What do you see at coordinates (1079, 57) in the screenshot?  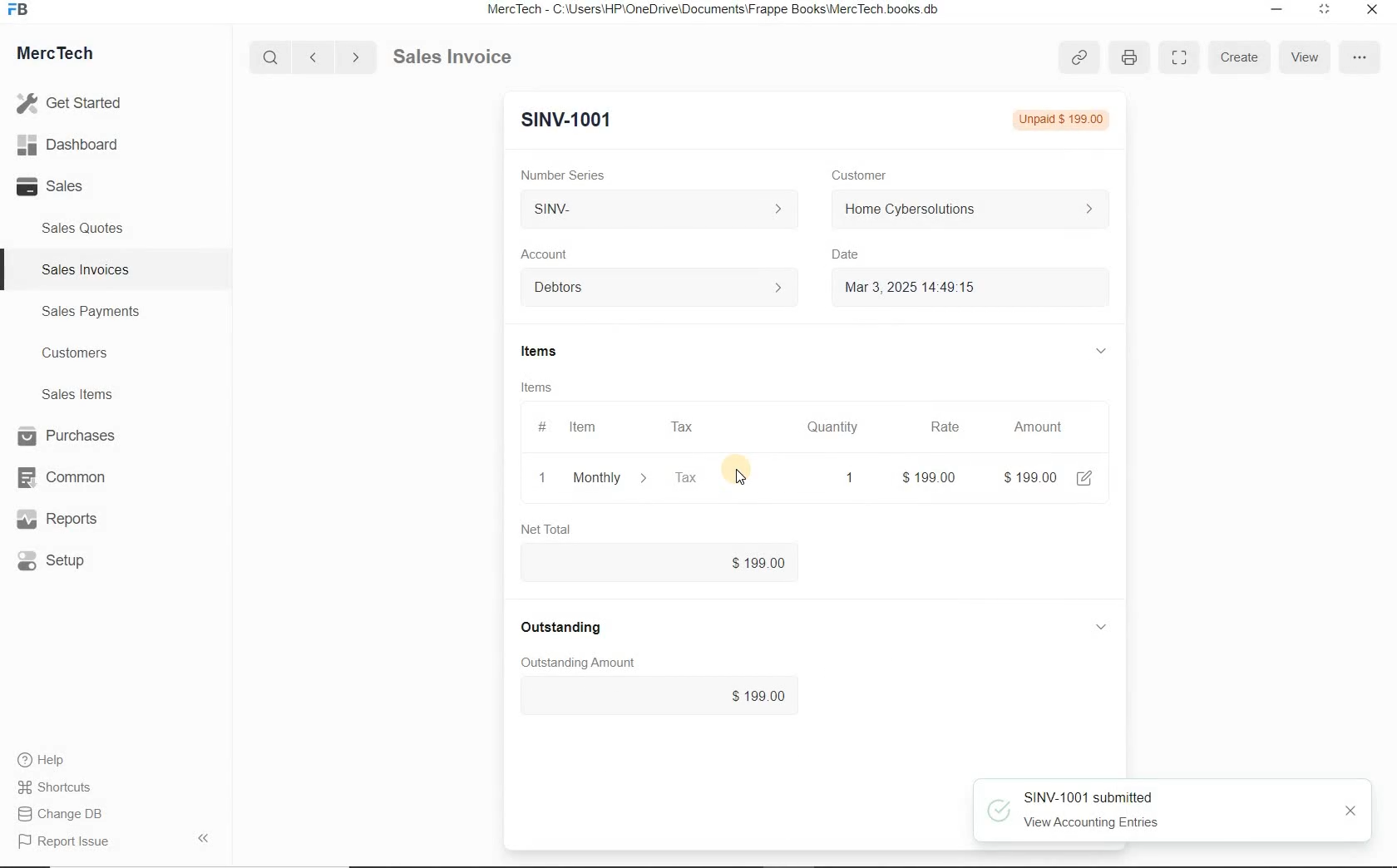 I see `copy` at bounding box center [1079, 57].